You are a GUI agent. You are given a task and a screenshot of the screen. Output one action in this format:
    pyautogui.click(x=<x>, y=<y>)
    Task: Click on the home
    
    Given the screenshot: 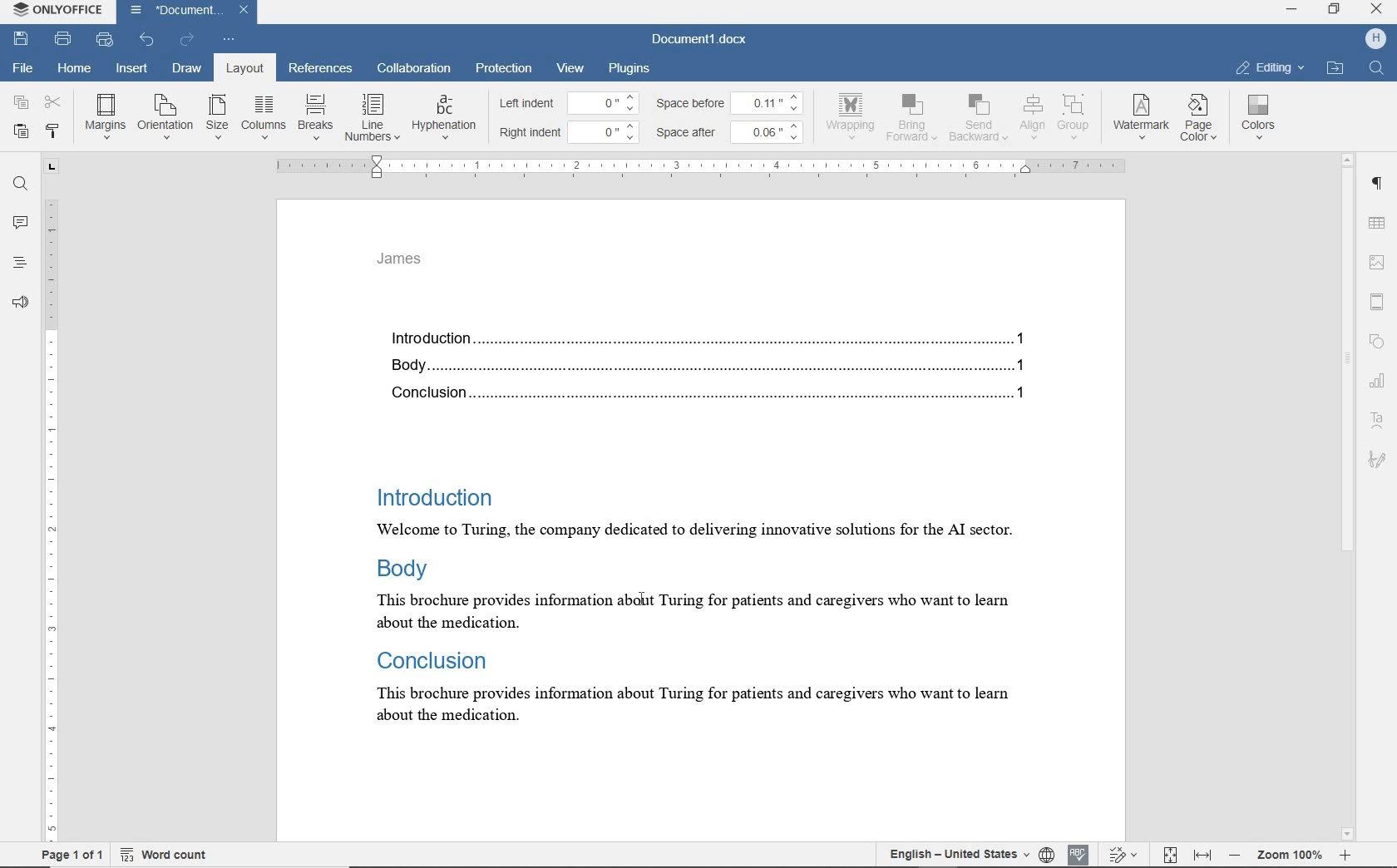 What is the action you would take?
    pyautogui.click(x=72, y=69)
    